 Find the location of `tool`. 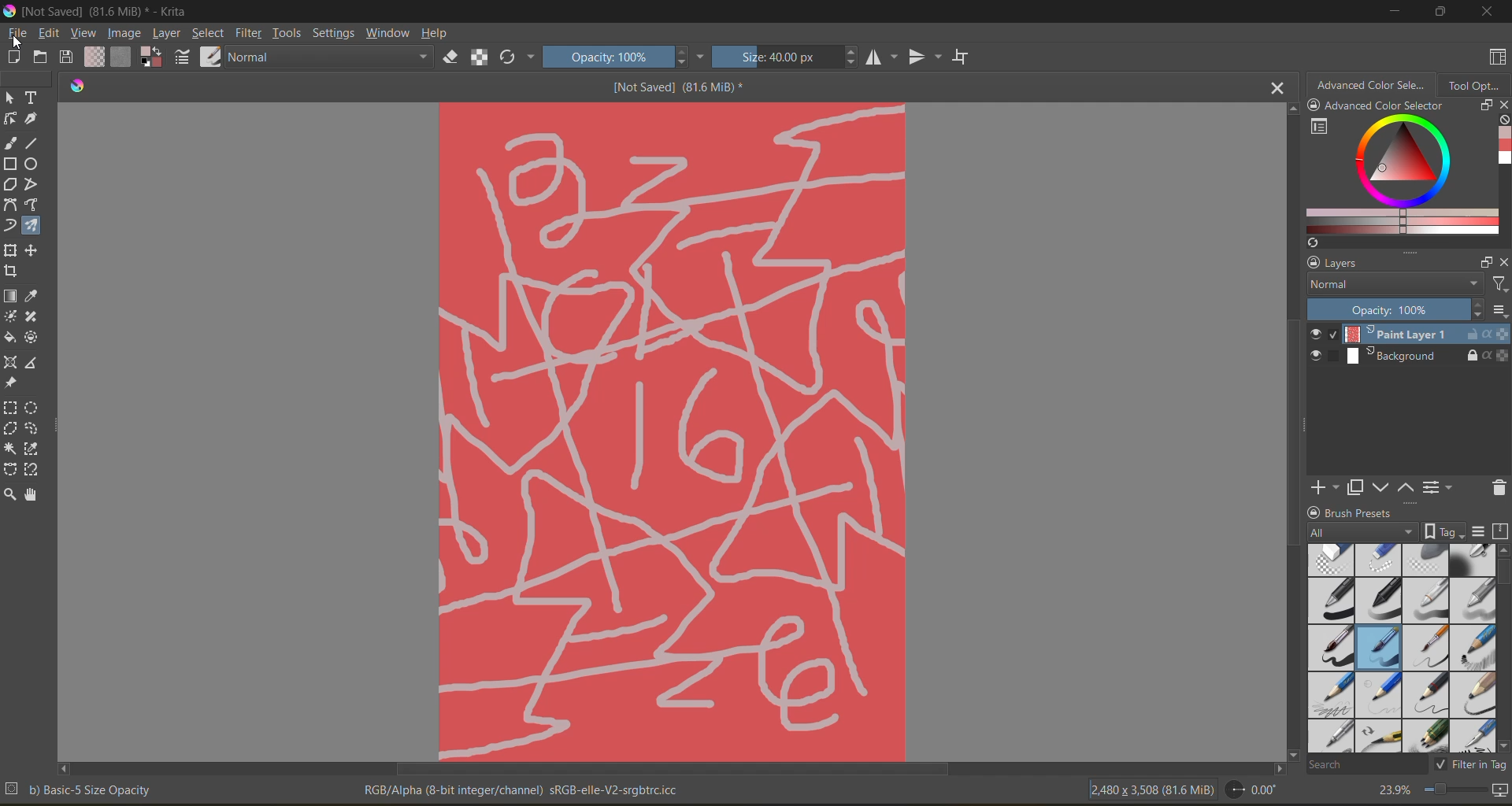

tool is located at coordinates (11, 383).